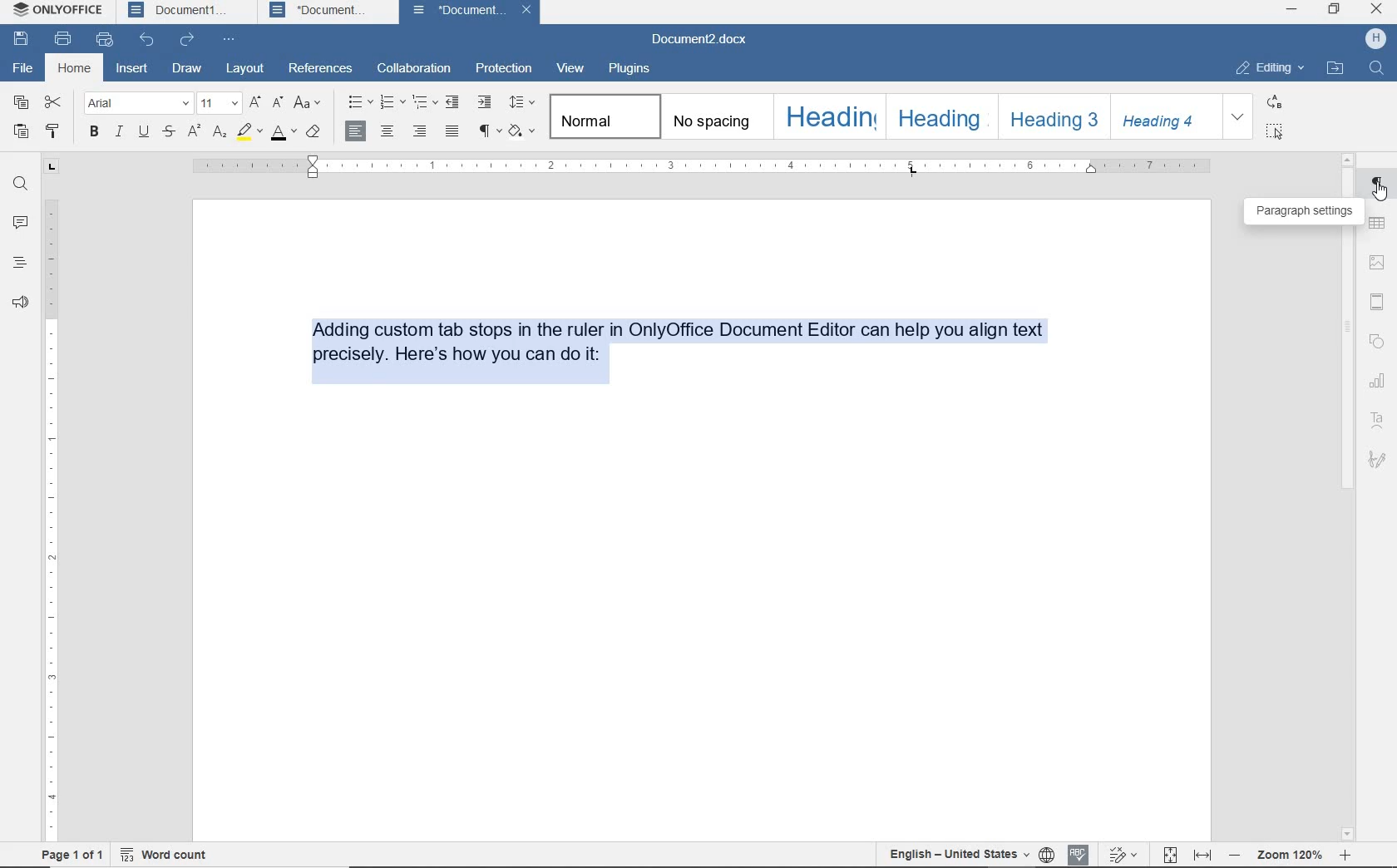 This screenshot has width=1397, height=868. I want to click on scrollbar, so click(1348, 496).